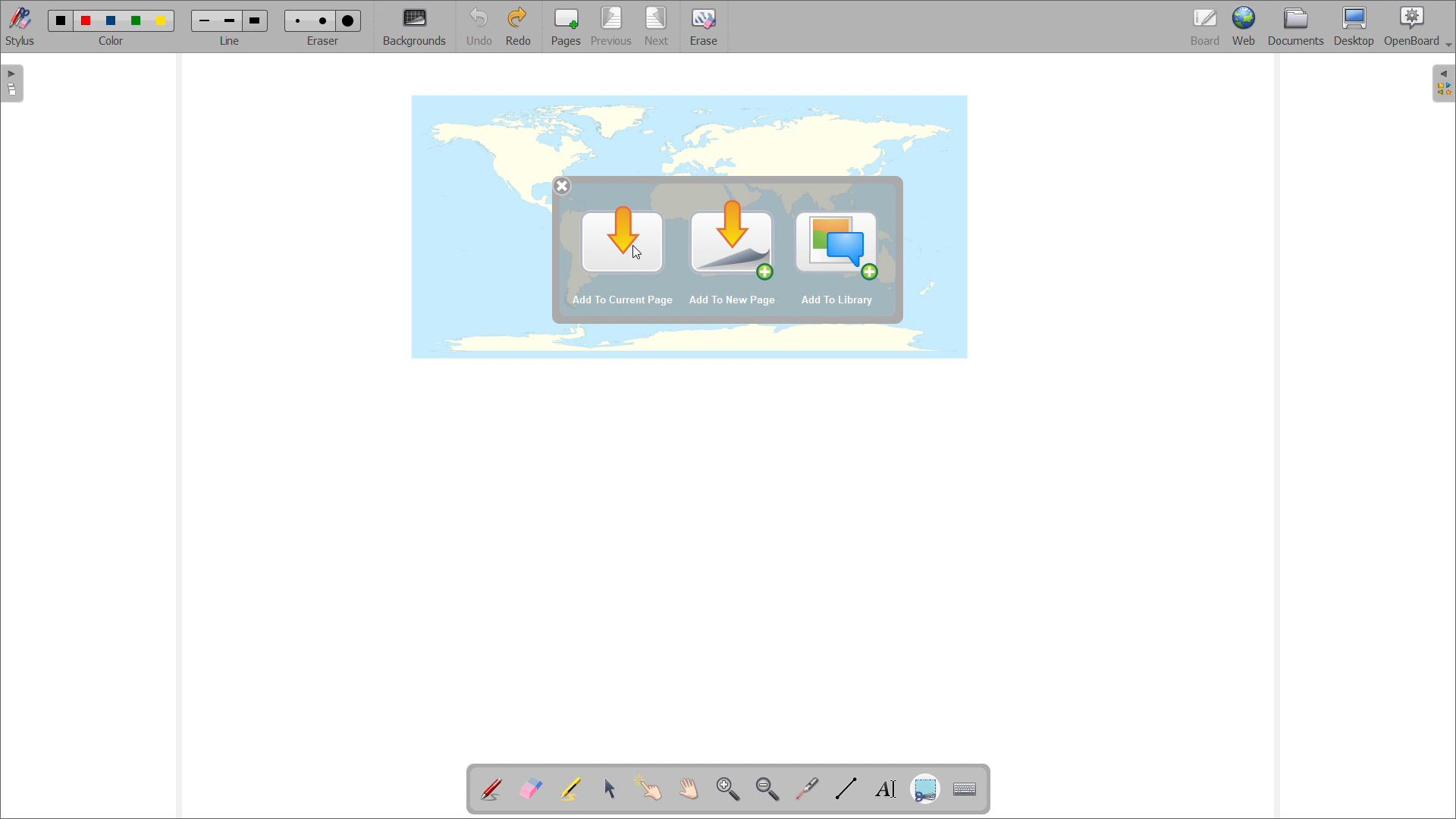  I want to click on documents, so click(1297, 26).